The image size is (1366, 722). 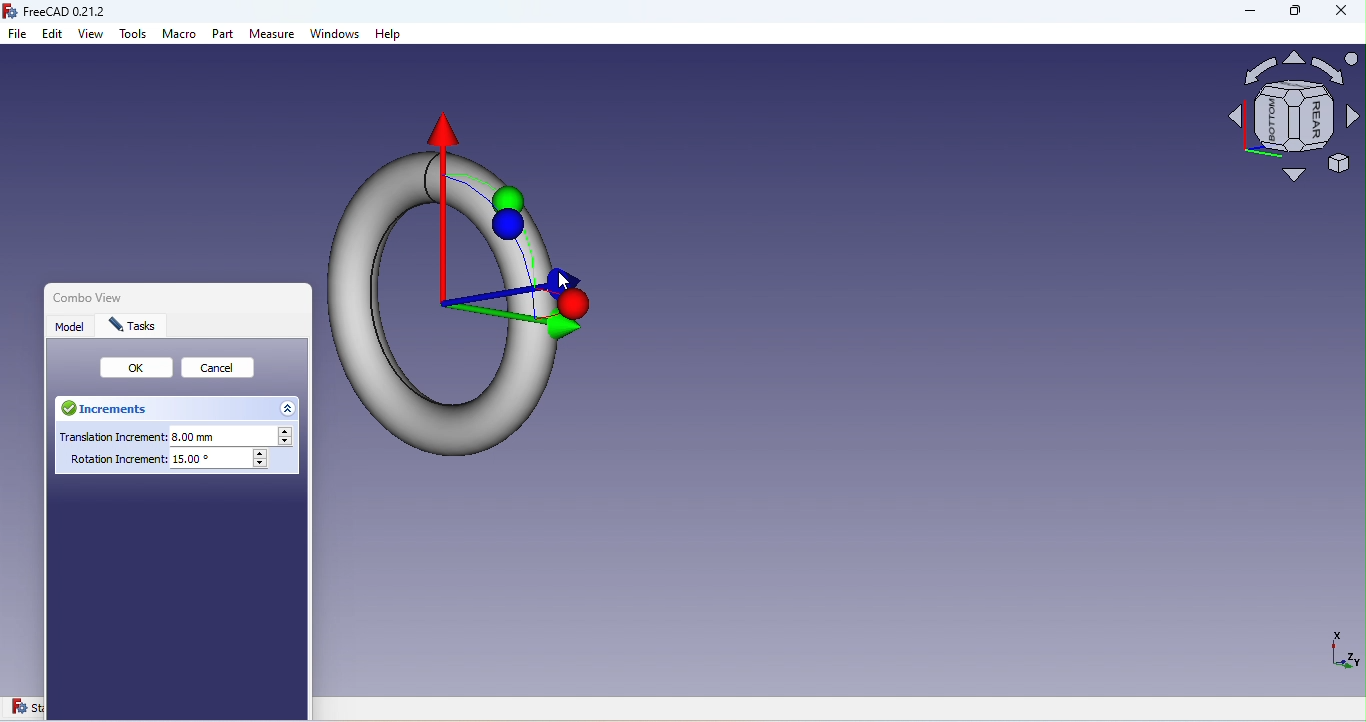 I want to click on Windows, so click(x=336, y=36).